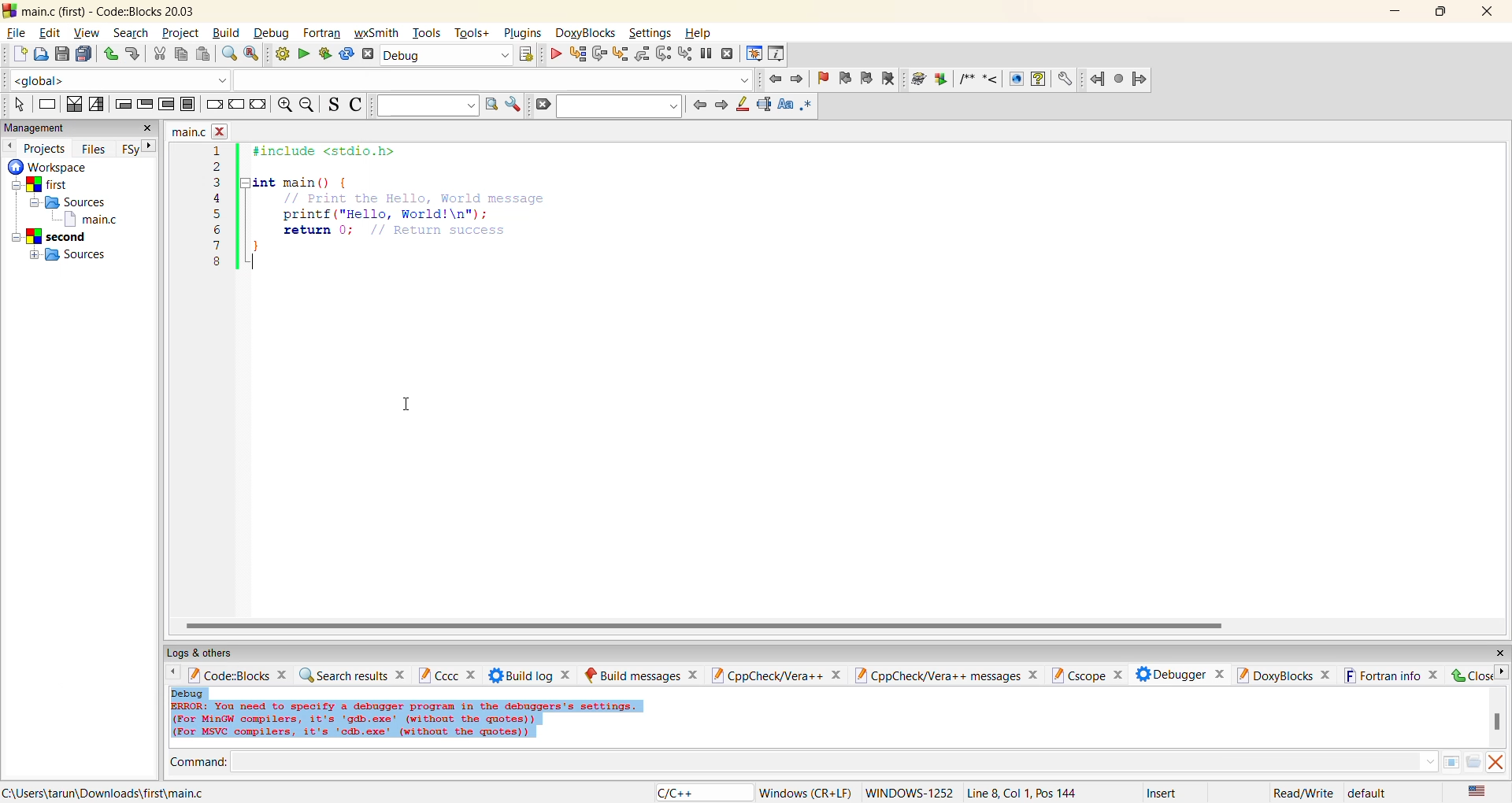 The image size is (1512, 803). Describe the element at coordinates (702, 33) in the screenshot. I see `help` at that location.